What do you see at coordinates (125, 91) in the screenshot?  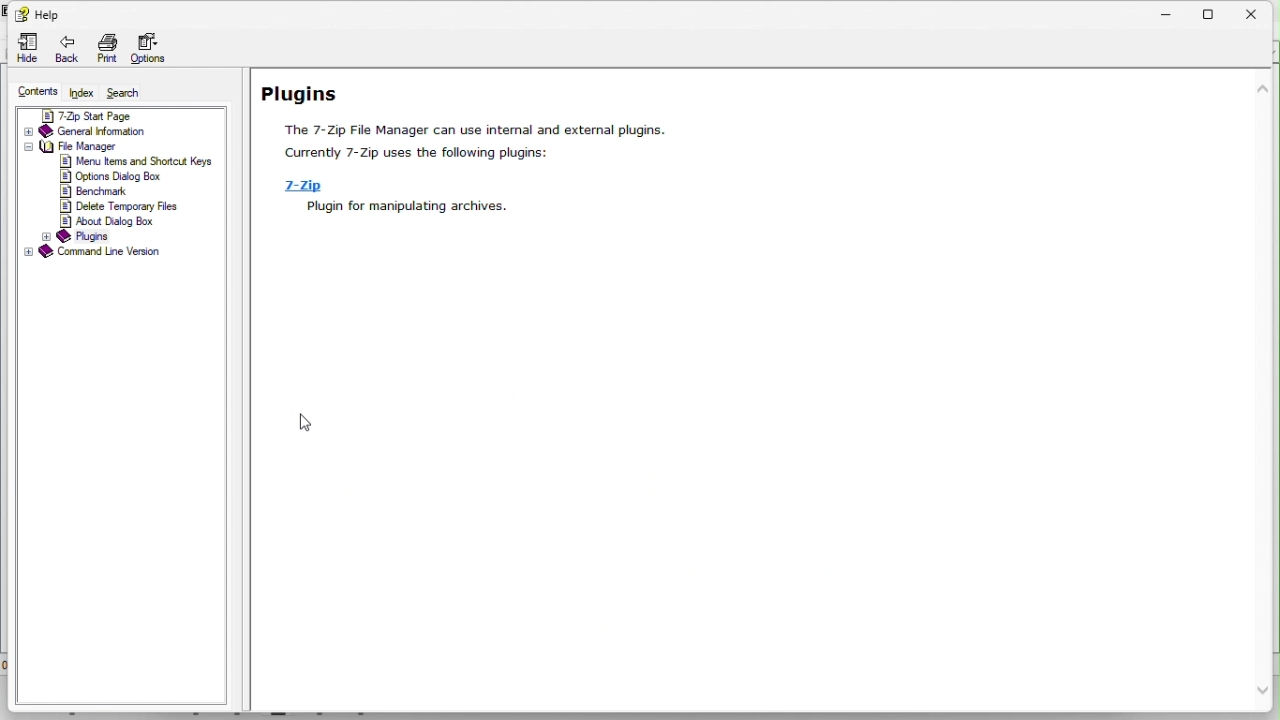 I see `search` at bounding box center [125, 91].